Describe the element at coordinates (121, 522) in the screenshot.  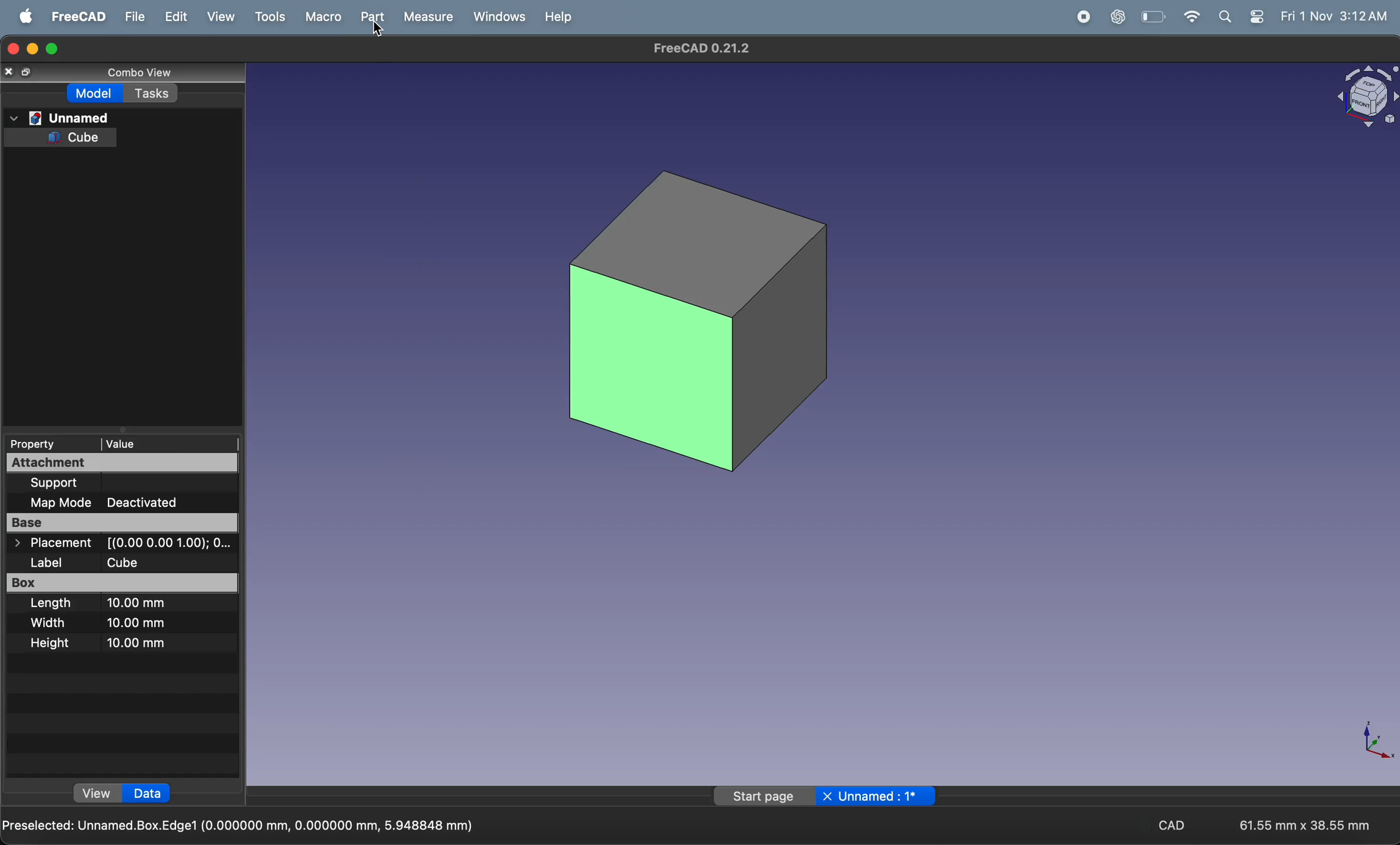
I see `Base` at that location.